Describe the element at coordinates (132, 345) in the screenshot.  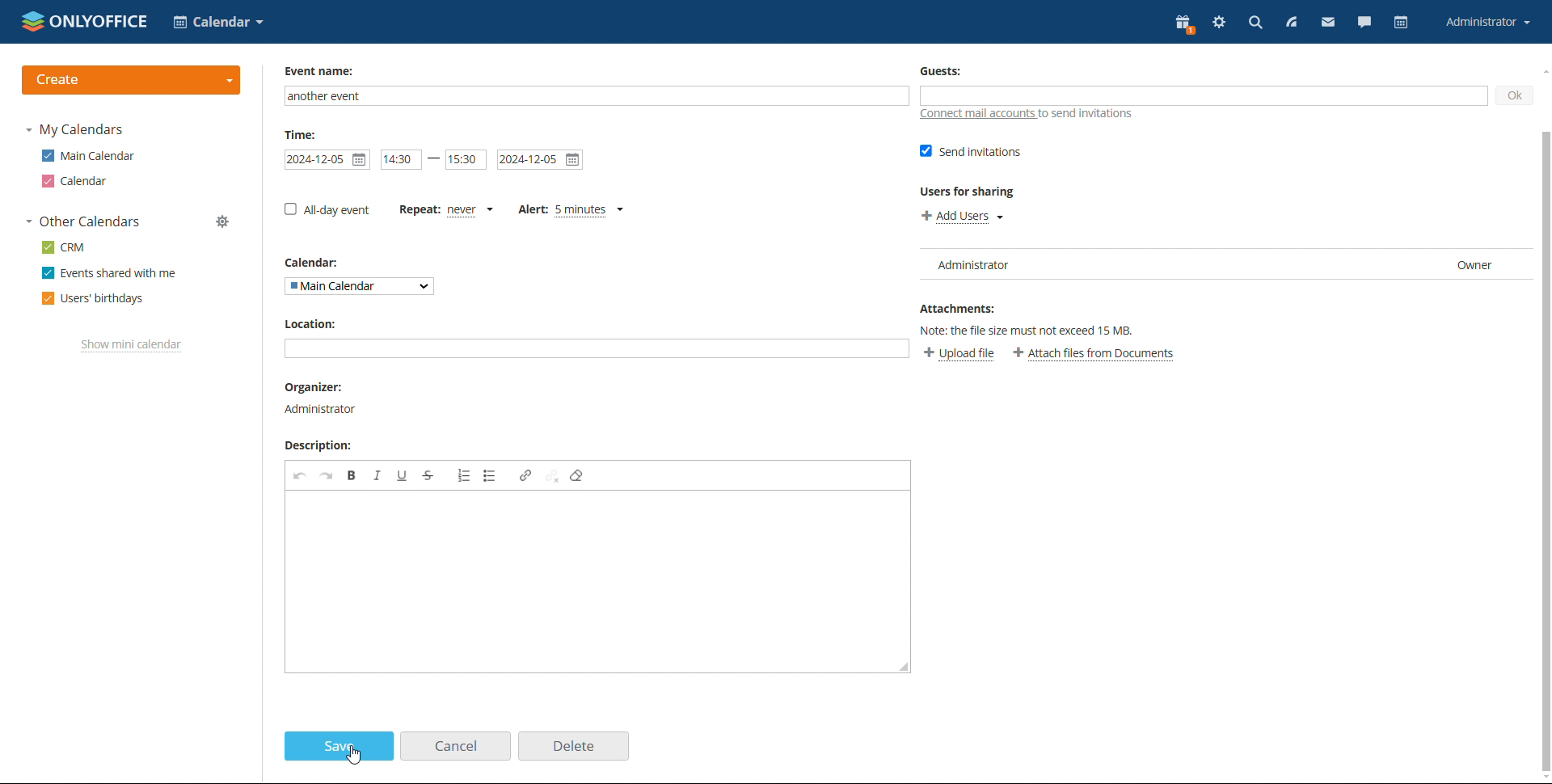
I see `show mini calendar` at that location.